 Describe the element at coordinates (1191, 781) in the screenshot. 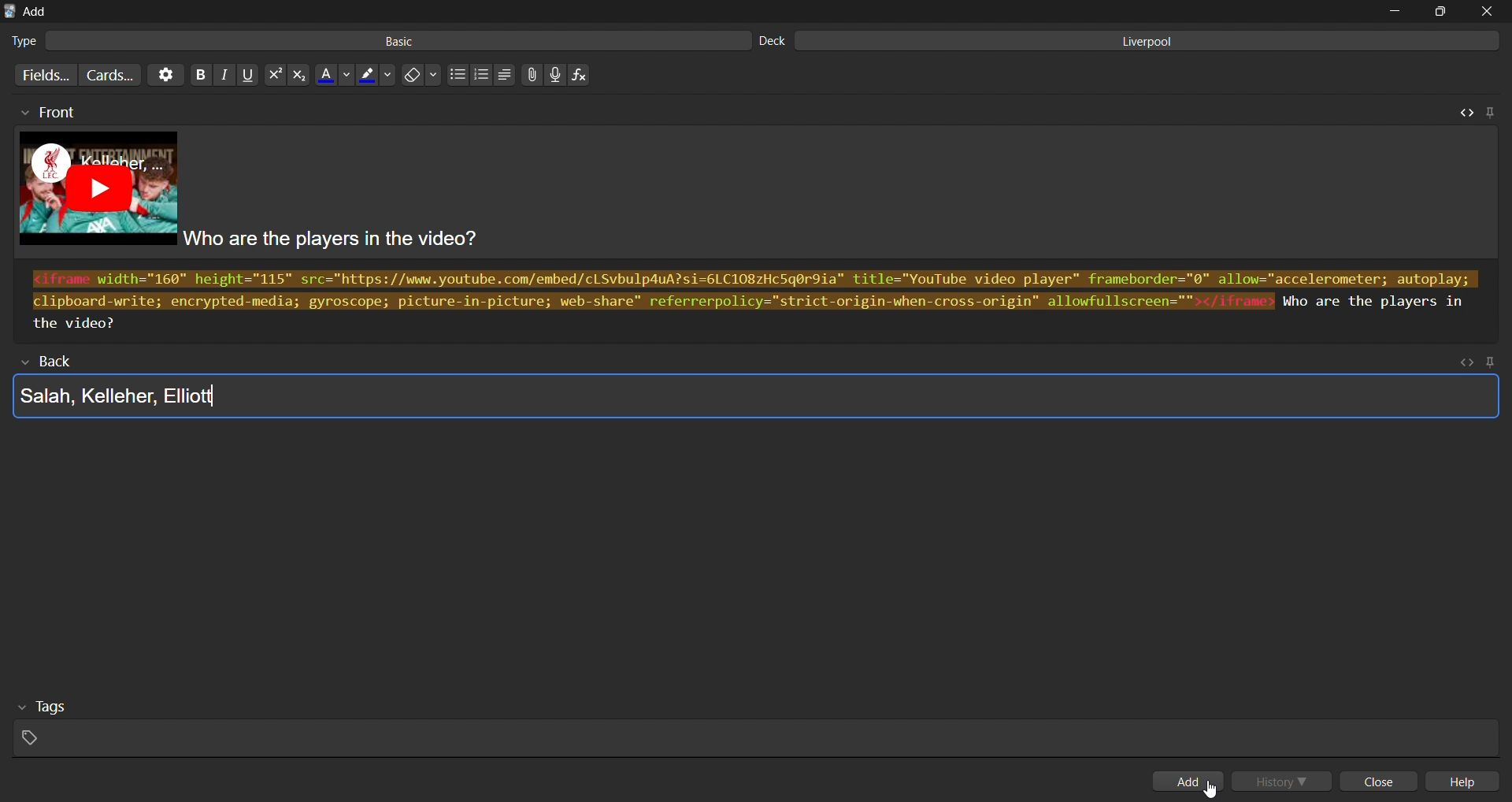

I see `add` at that location.